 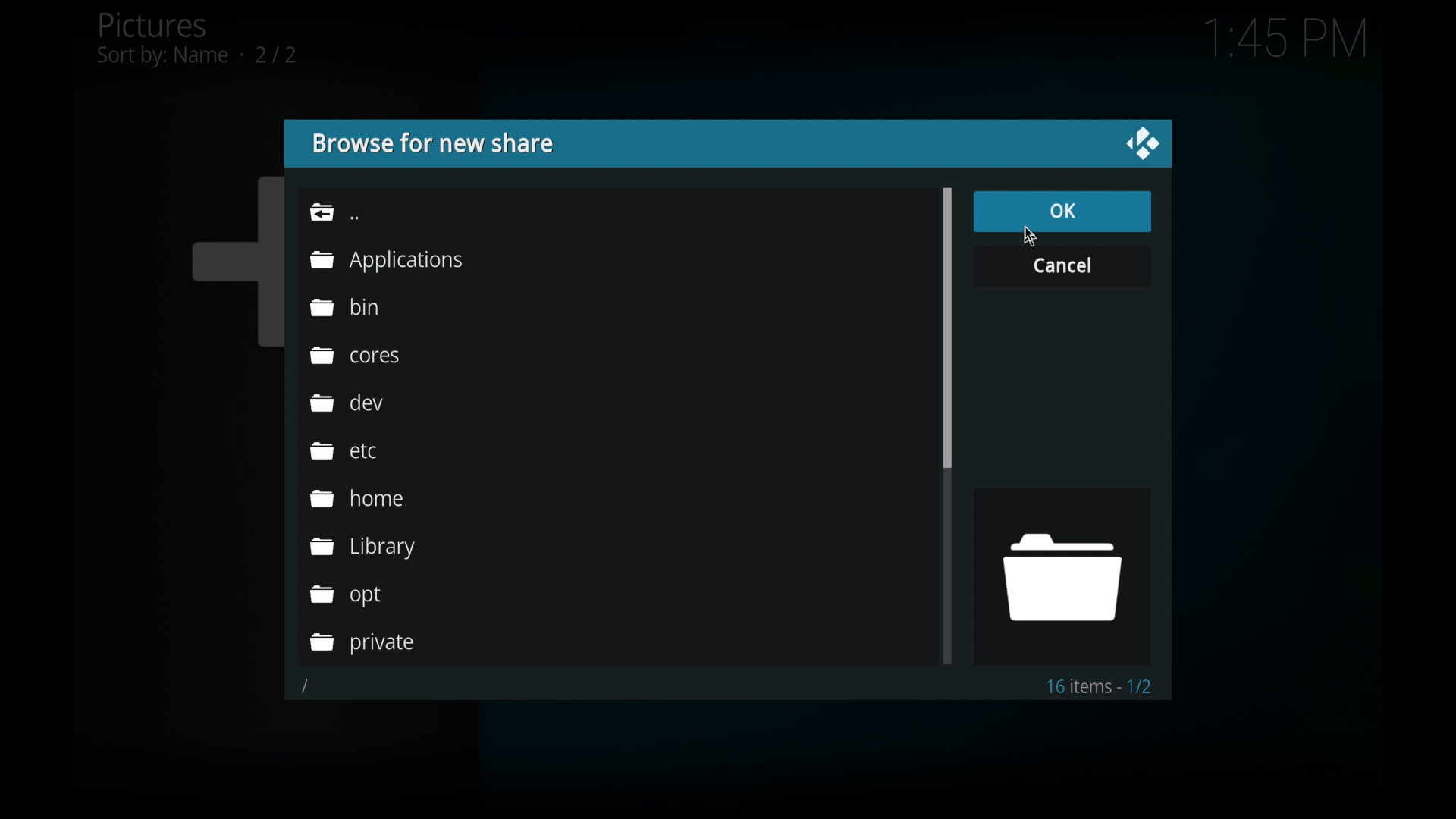 I want to click on private, so click(x=362, y=644).